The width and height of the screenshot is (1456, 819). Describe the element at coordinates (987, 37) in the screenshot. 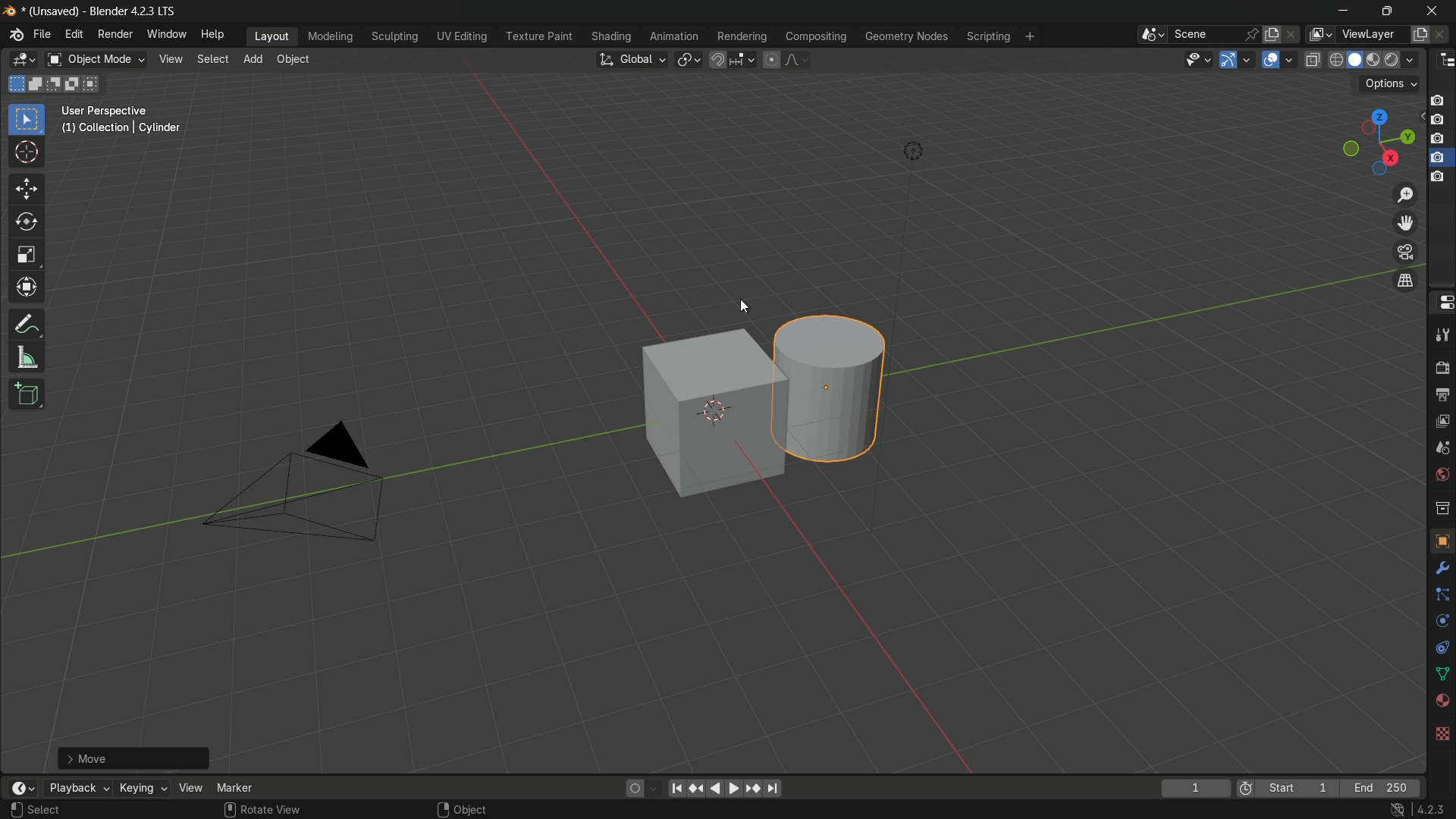

I see `scripting menu` at that location.